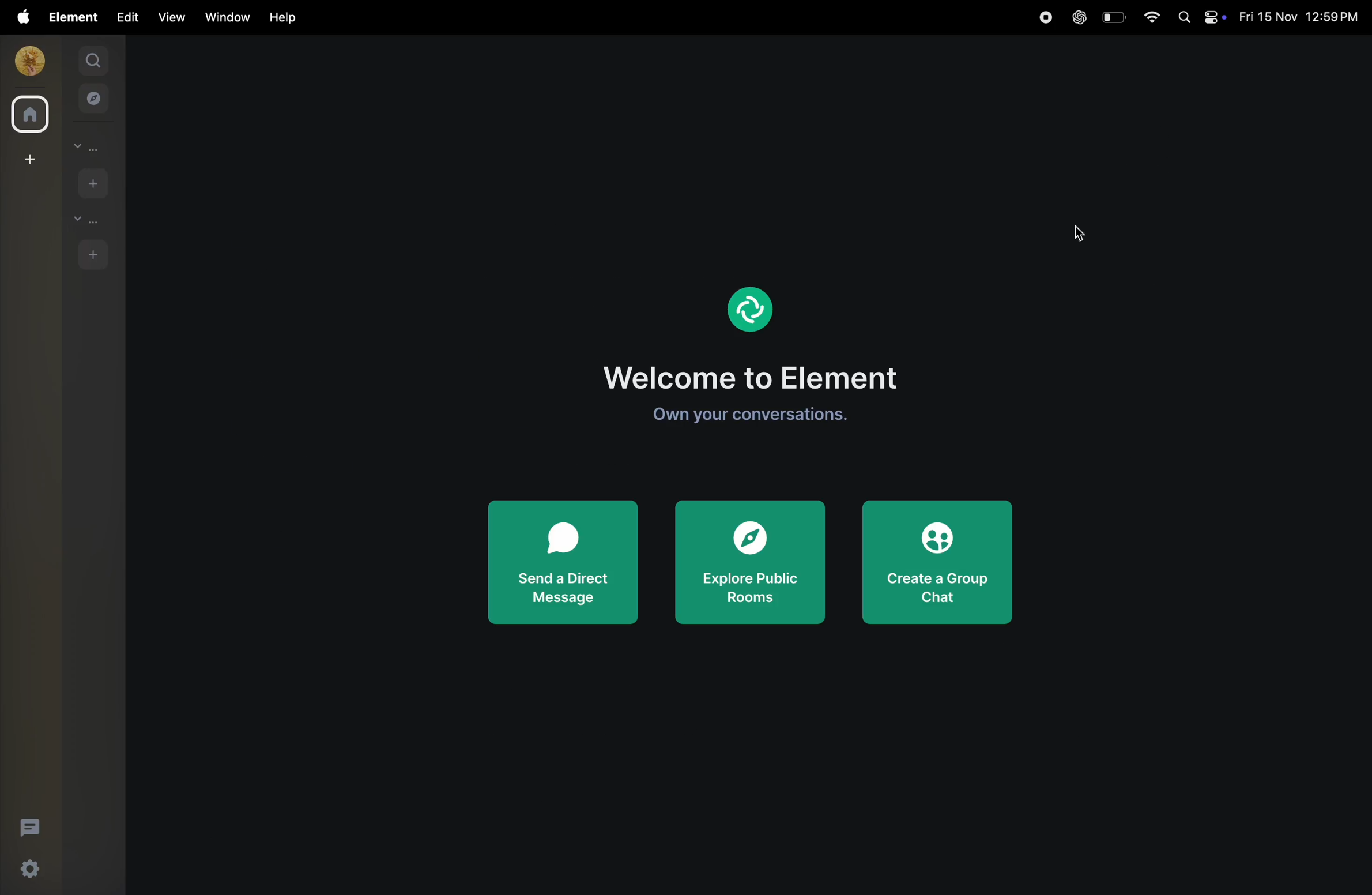 The image size is (1372, 895). Describe the element at coordinates (93, 253) in the screenshot. I see `add rooms` at that location.